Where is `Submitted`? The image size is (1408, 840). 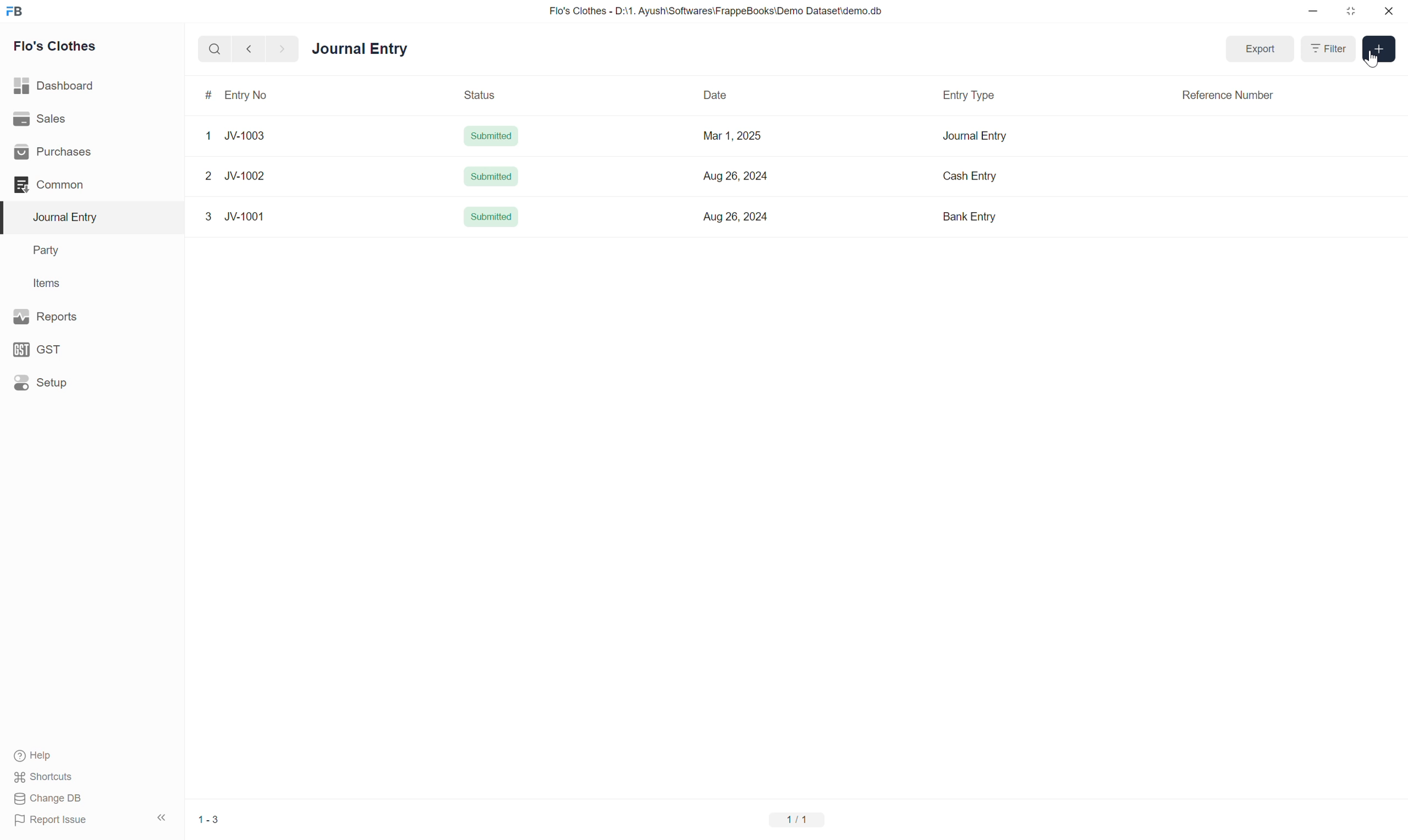 Submitted is located at coordinates (491, 136).